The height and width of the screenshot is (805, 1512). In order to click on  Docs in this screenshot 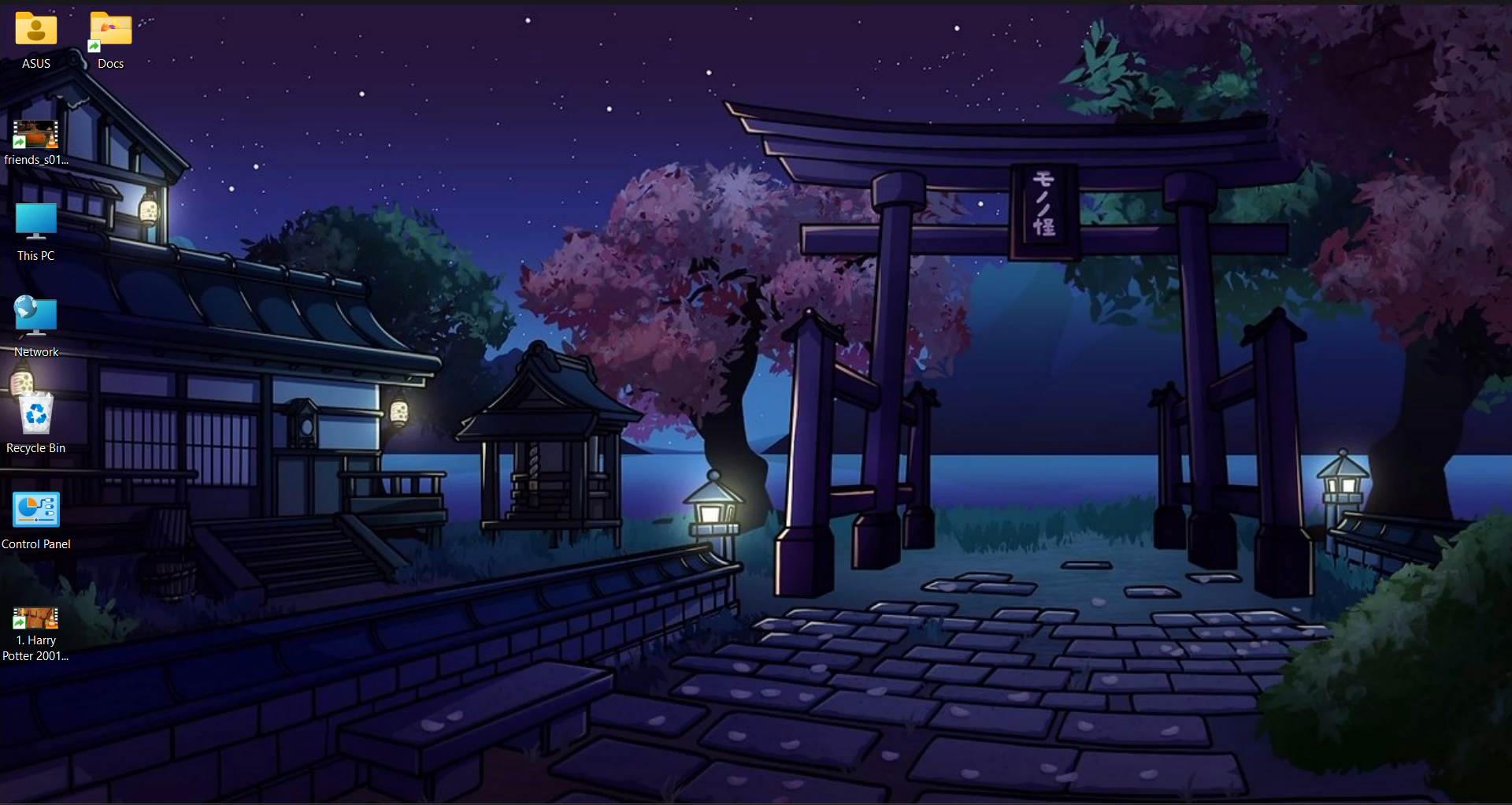, I will do `click(114, 40)`.